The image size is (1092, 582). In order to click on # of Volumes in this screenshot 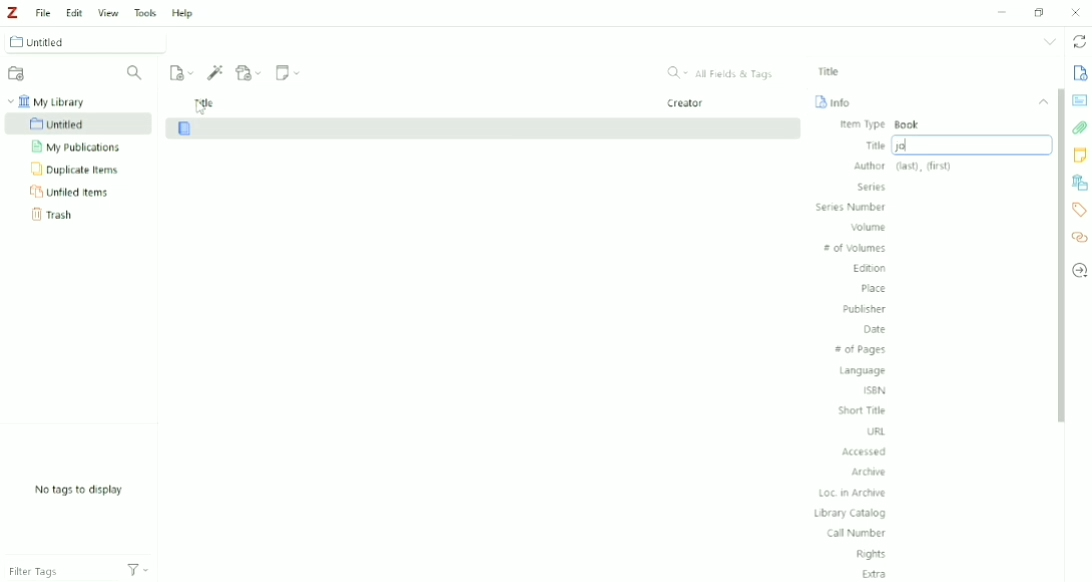, I will do `click(856, 249)`.